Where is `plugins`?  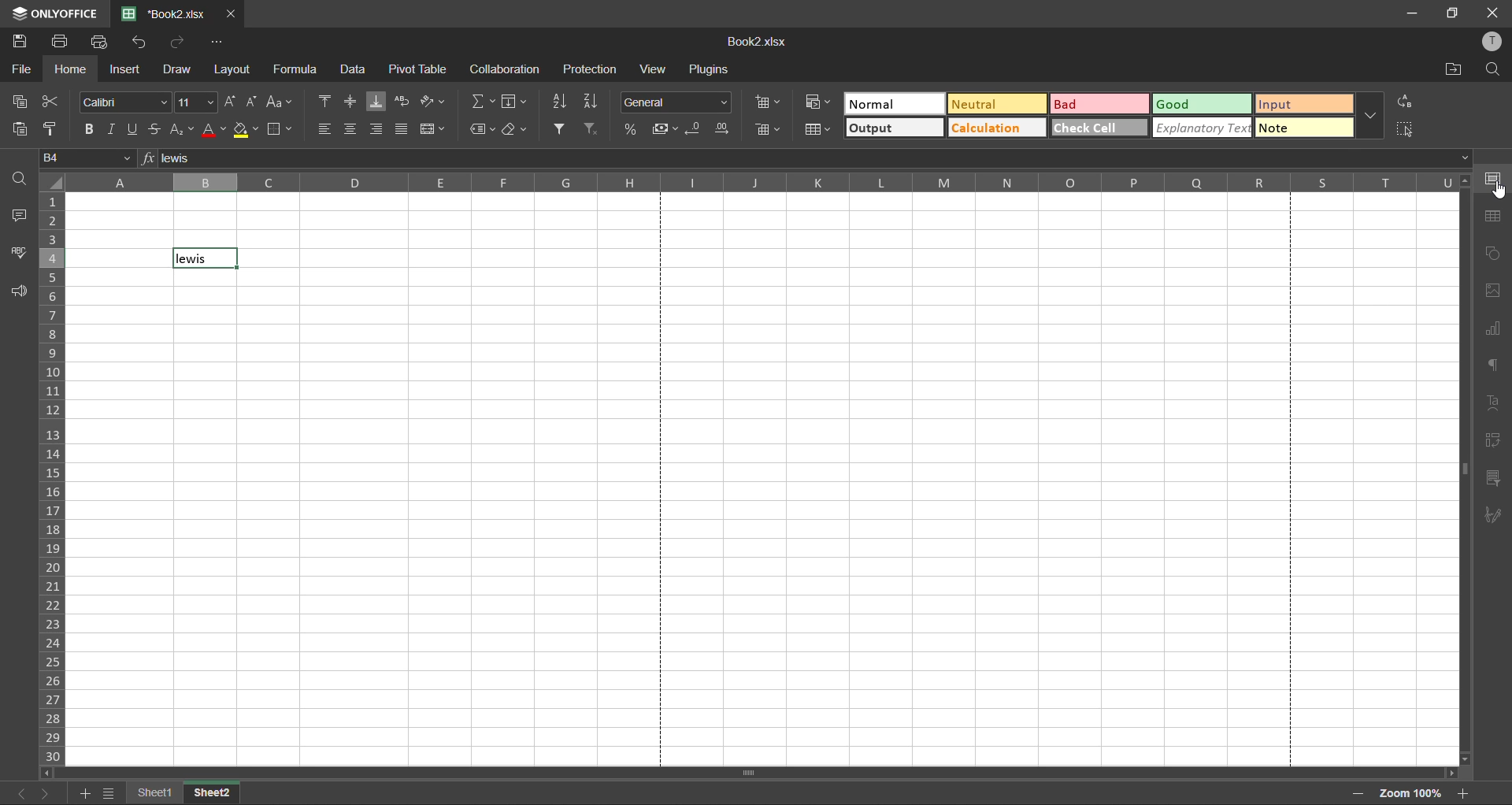 plugins is located at coordinates (711, 69).